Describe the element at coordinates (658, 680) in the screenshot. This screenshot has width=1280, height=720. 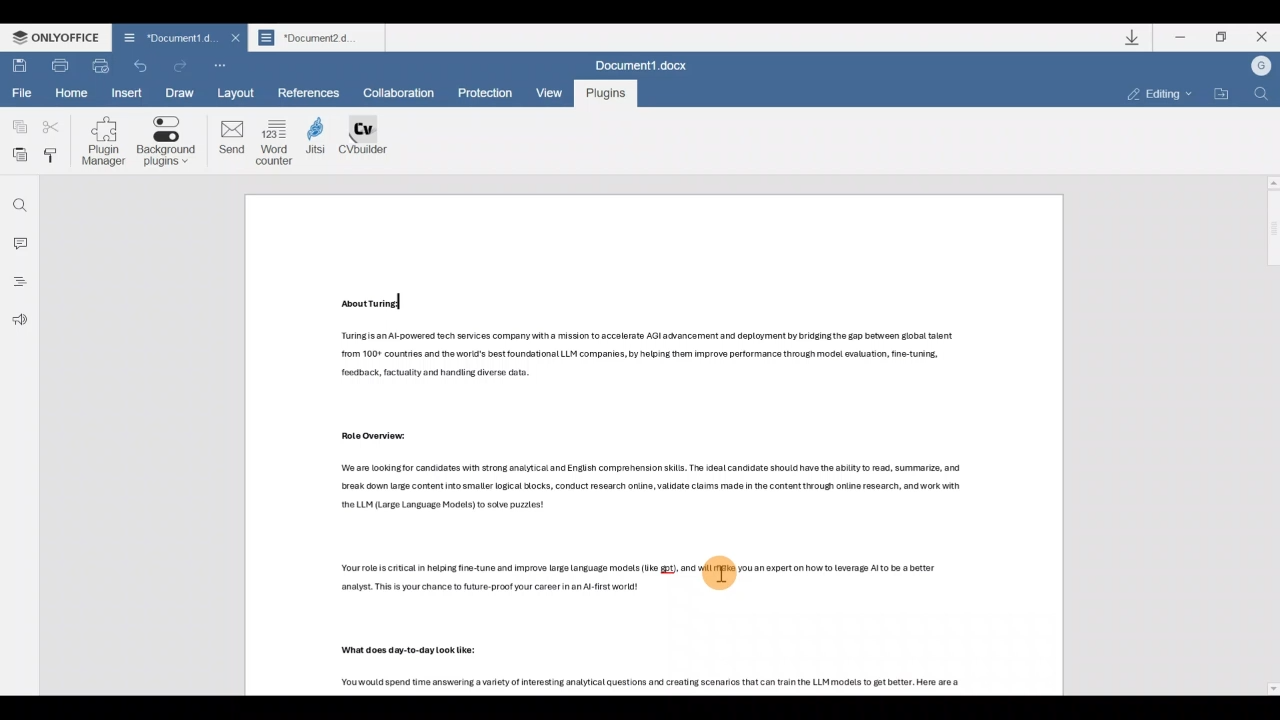
I see `` at that location.